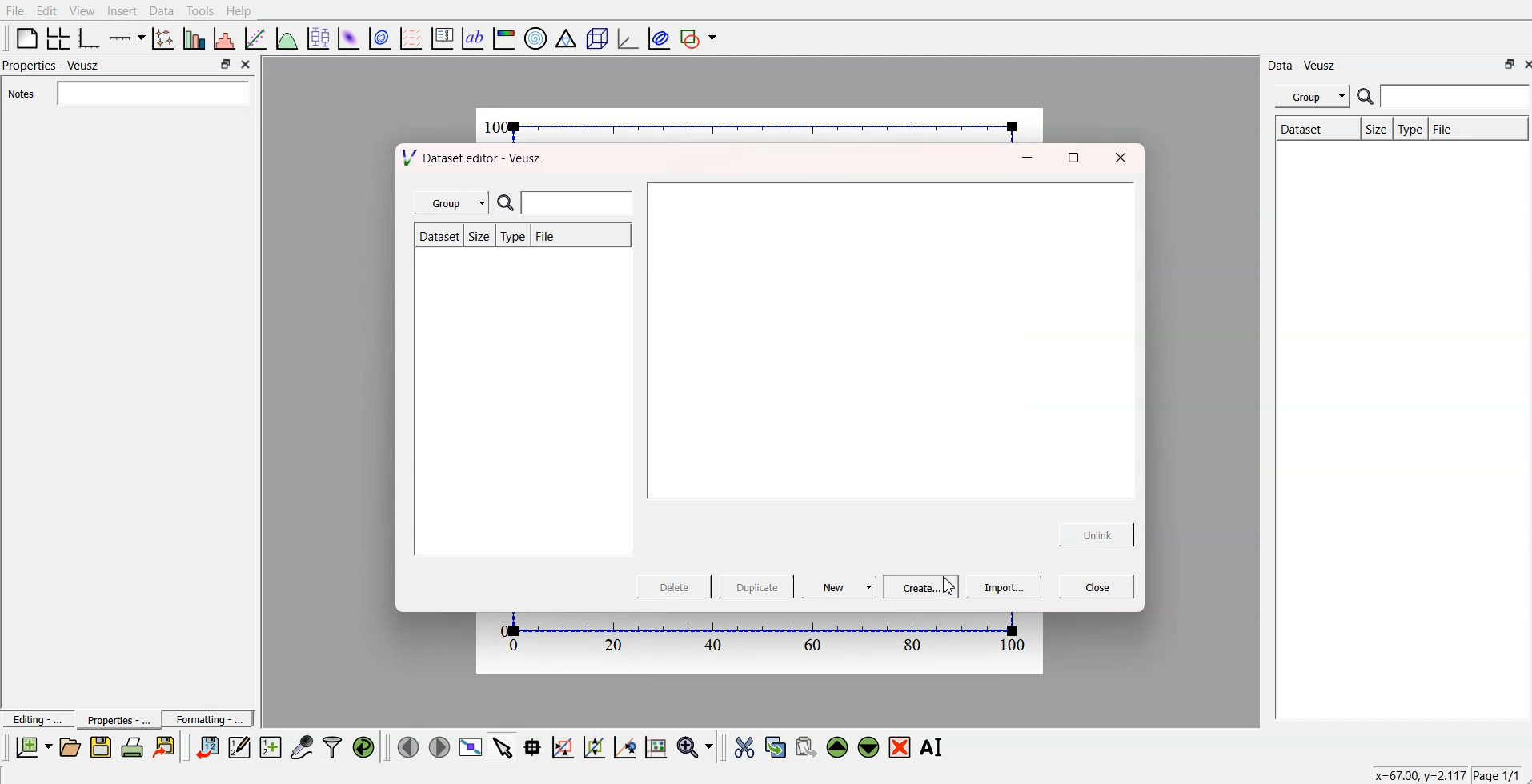 The height and width of the screenshot is (784, 1532). I want to click on plot points with lines, so click(164, 38).